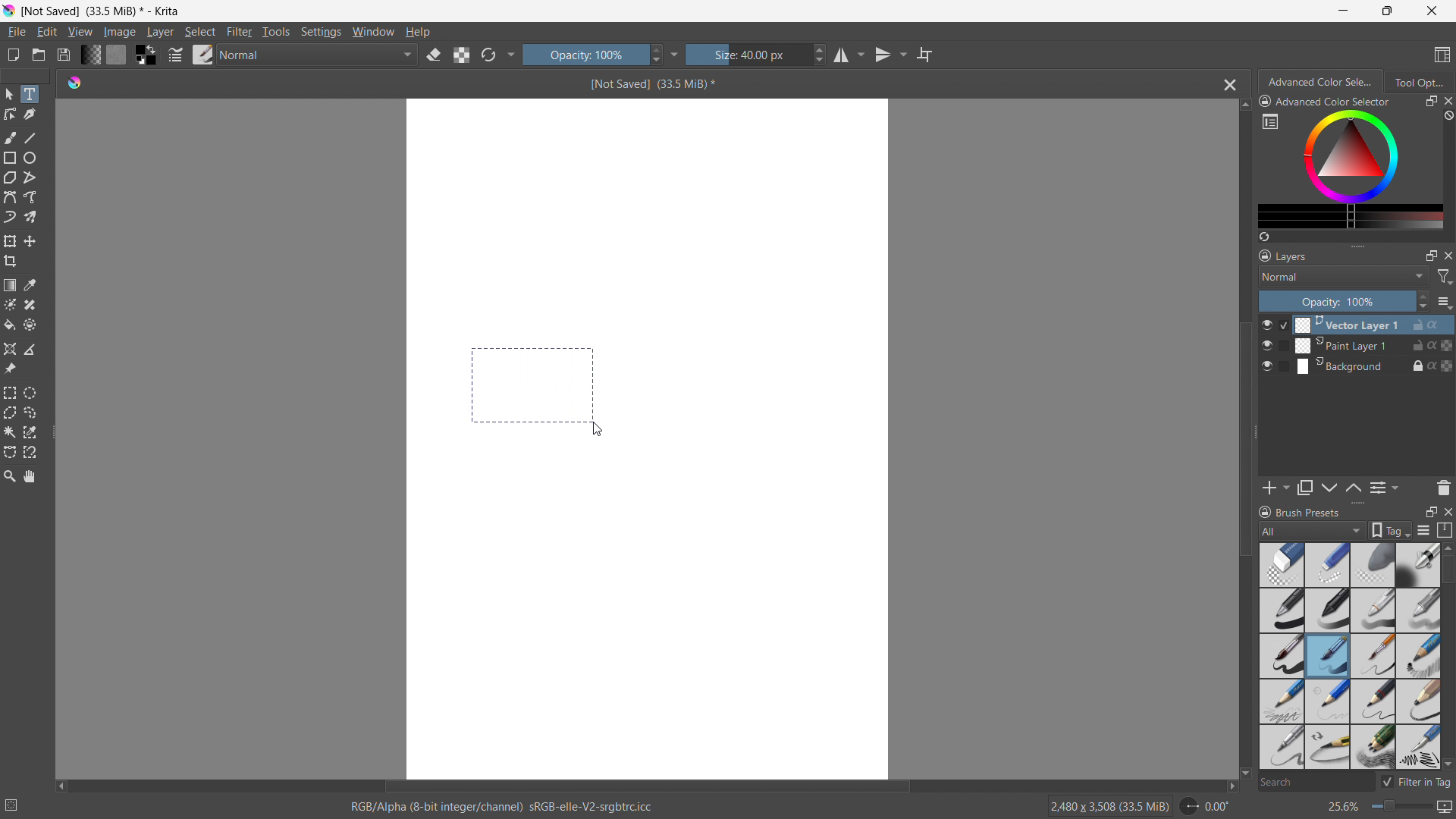 The height and width of the screenshot is (819, 1456). What do you see at coordinates (502, 808) in the screenshot?
I see `RGB/ Alpha (8- bit integer/ channel)` at bounding box center [502, 808].